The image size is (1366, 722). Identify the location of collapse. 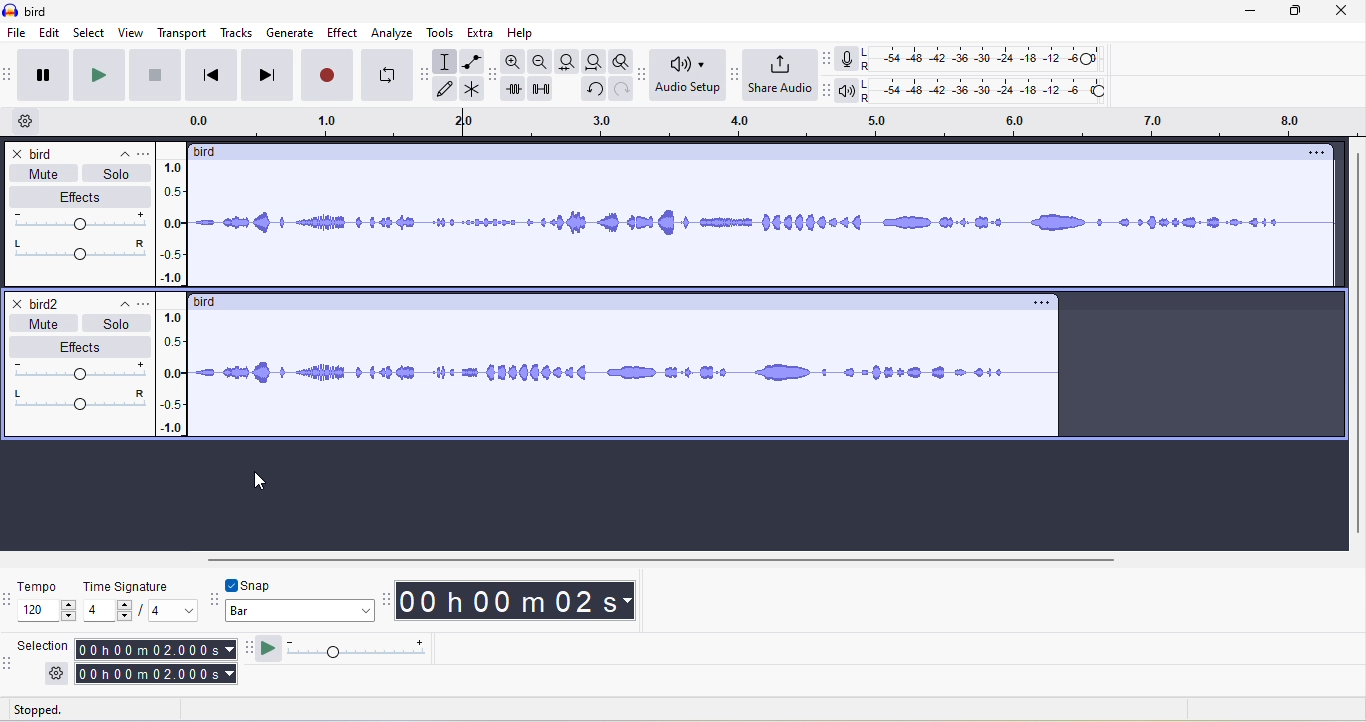
(116, 303).